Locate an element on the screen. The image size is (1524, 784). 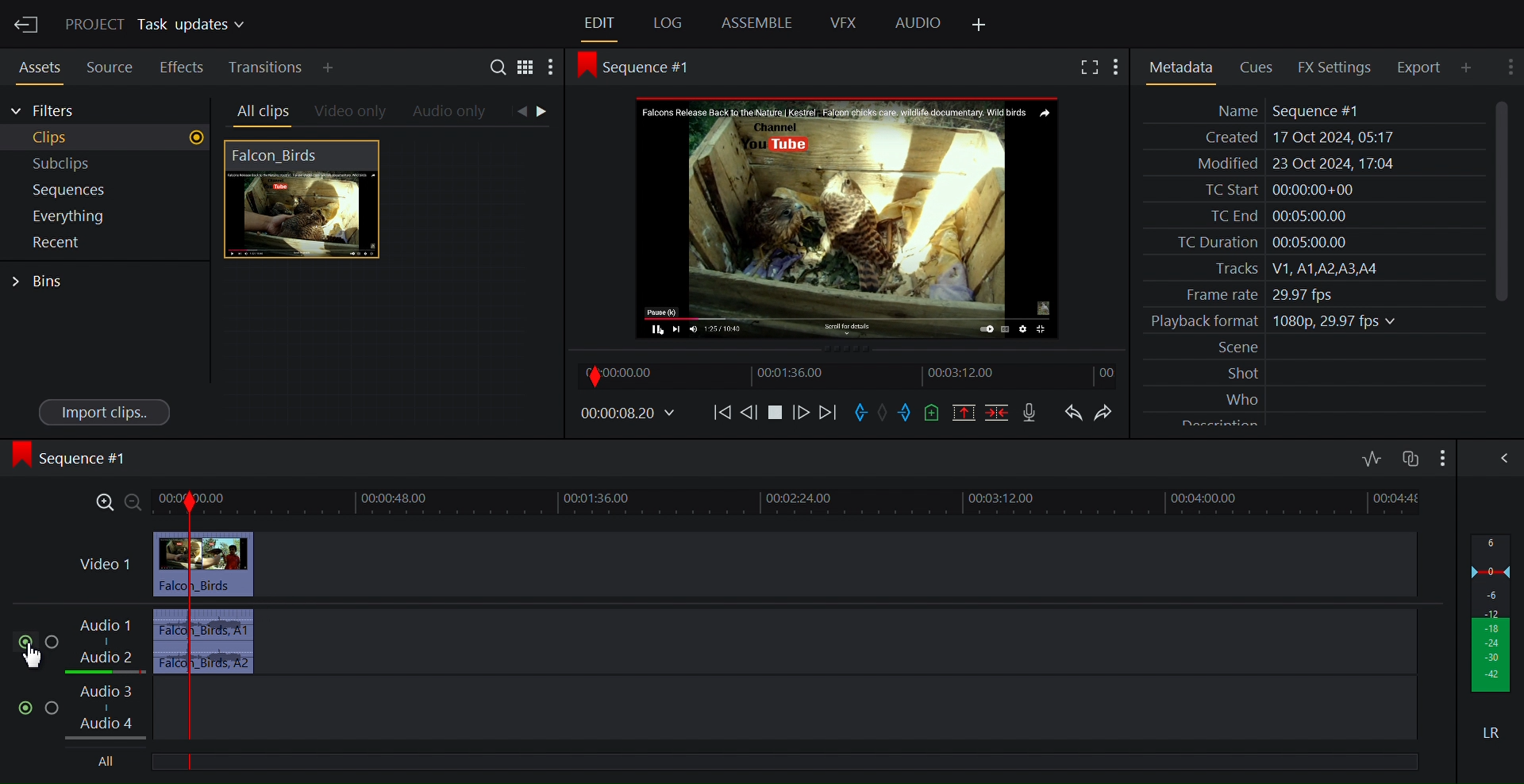
Audio output level dB is located at coordinates (1492, 613).